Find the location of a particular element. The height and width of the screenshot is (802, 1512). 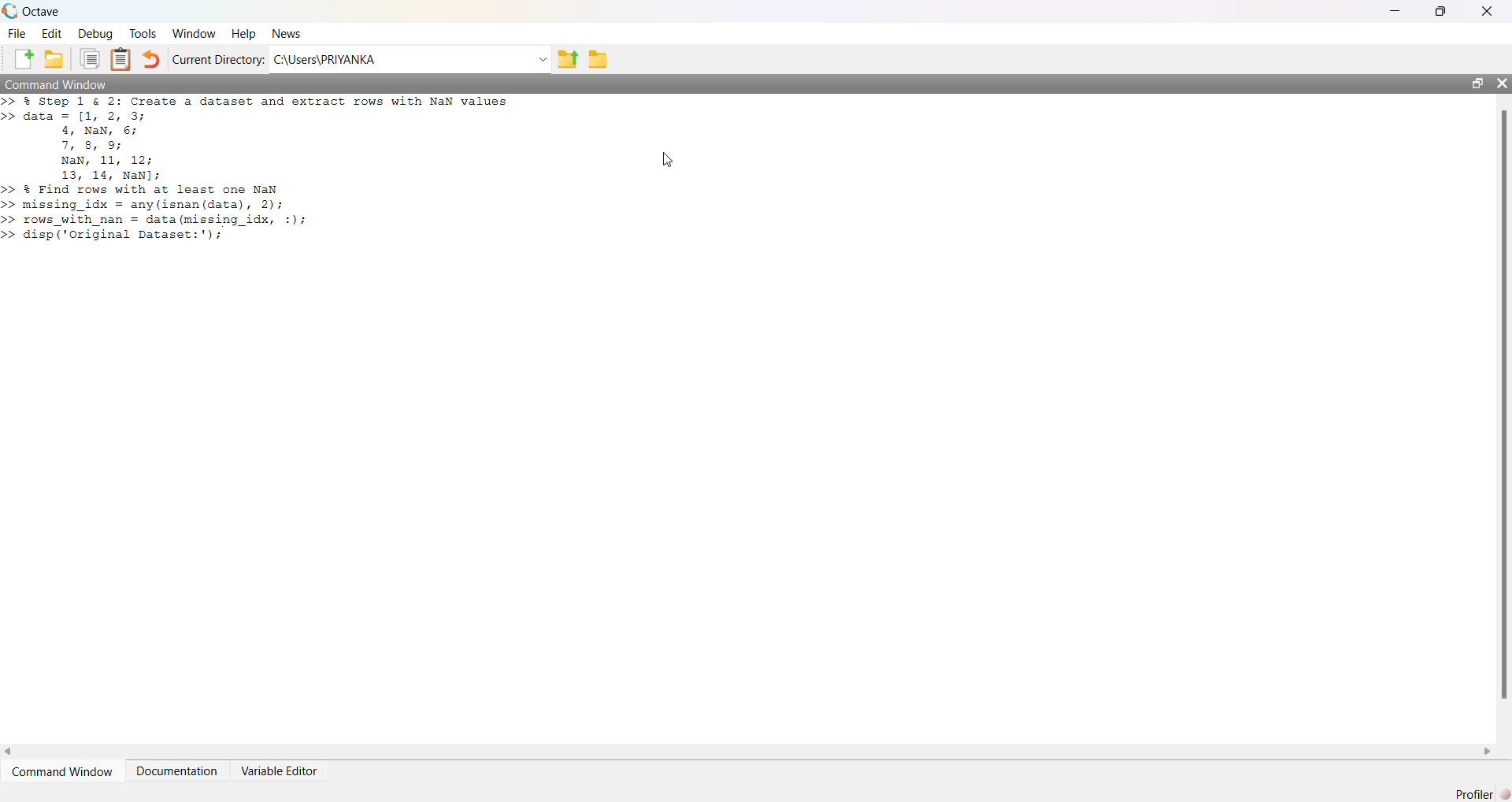

logo is located at coordinates (9, 11).